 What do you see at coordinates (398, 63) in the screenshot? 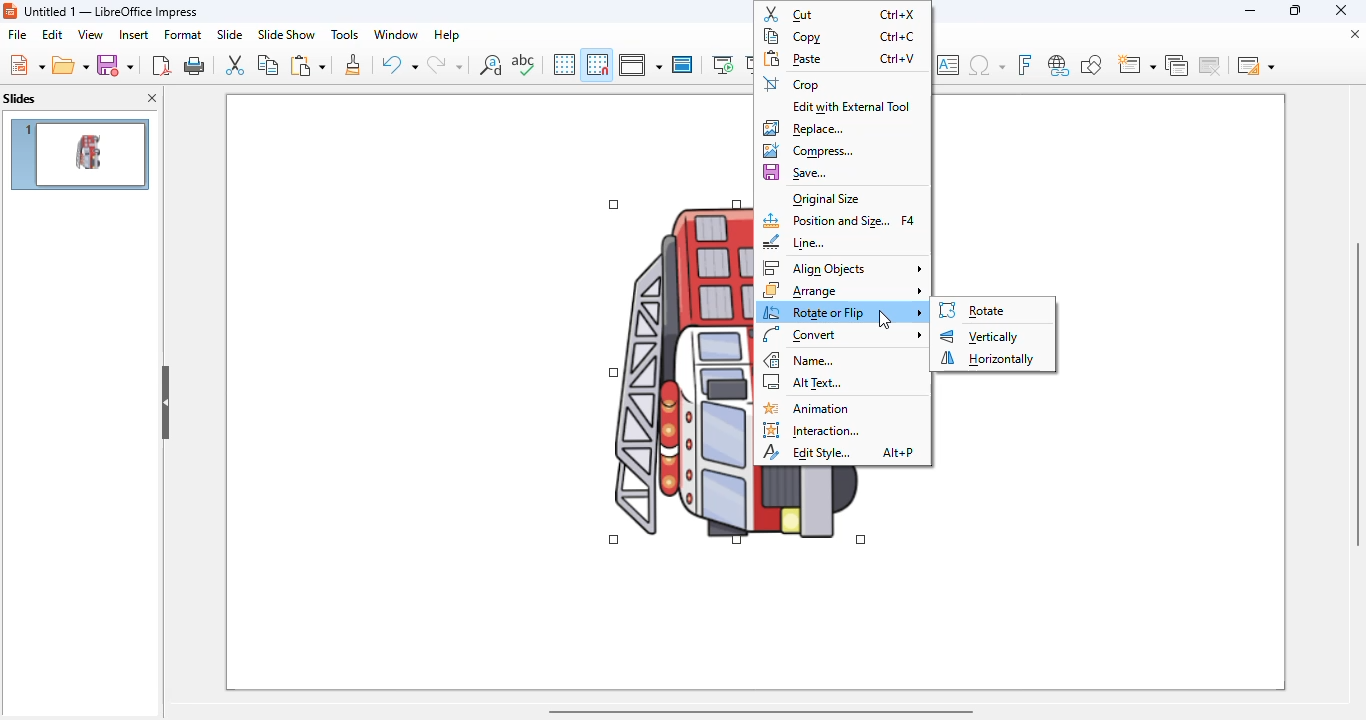
I see `undo` at bounding box center [398, 63].